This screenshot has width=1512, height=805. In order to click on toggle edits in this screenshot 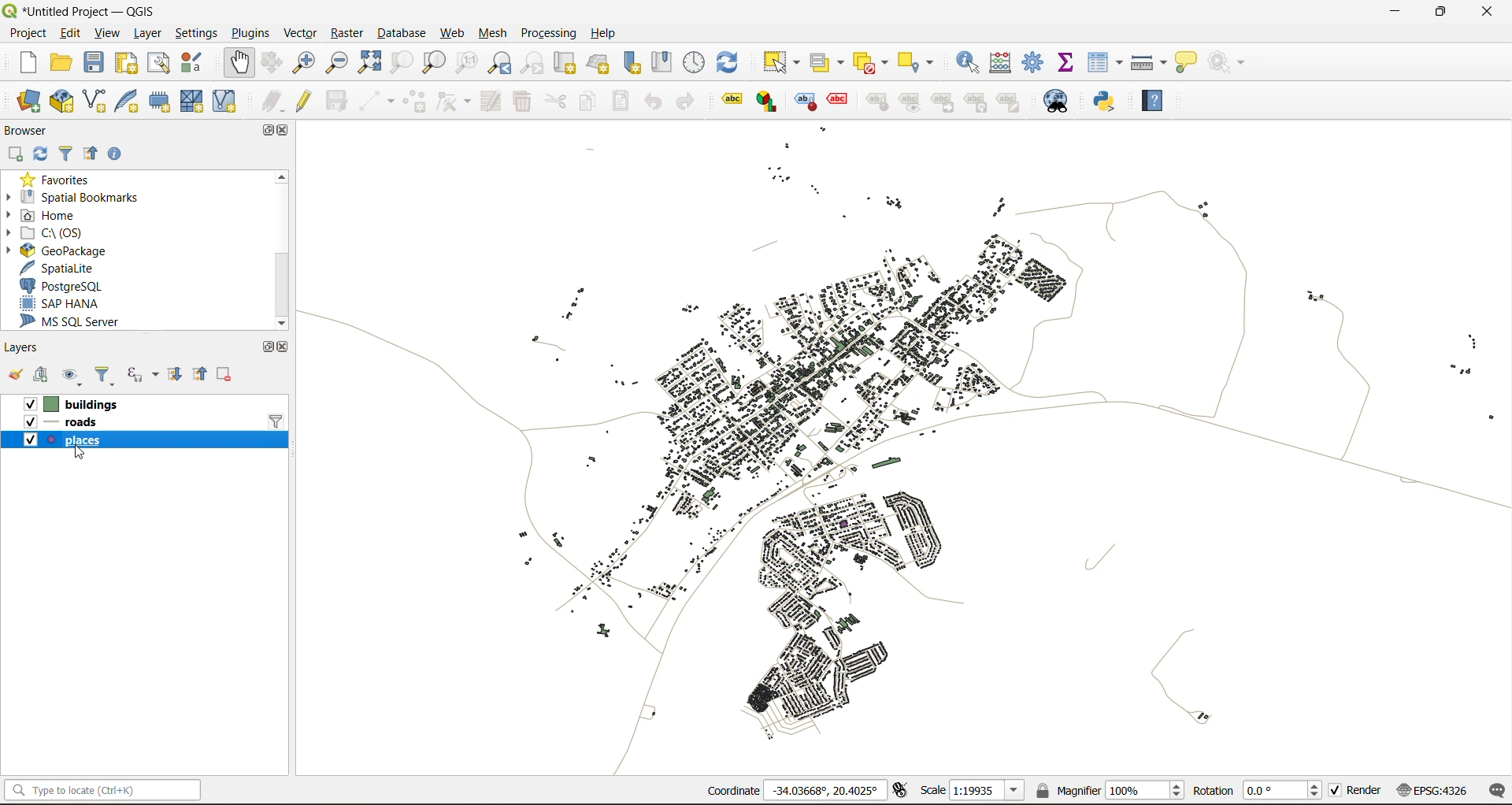, I will do `click(309, 99)`.